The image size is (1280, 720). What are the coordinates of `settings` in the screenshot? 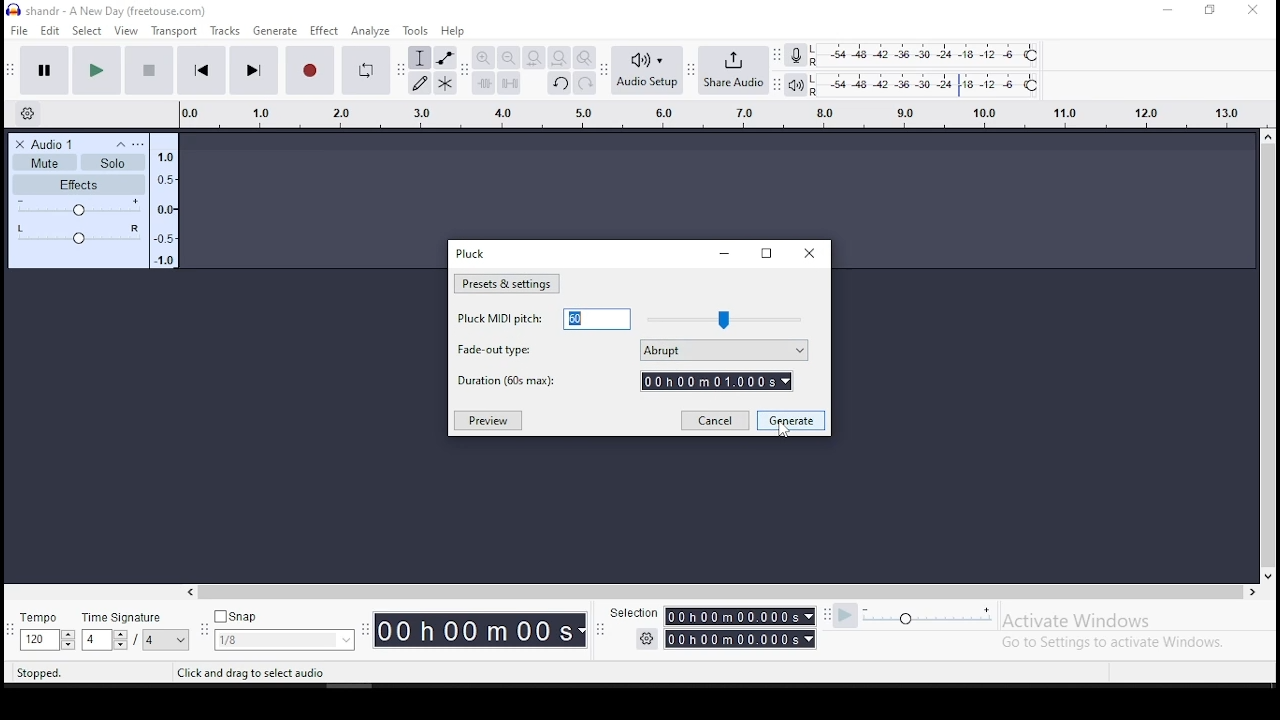 It's located at (647, 639).